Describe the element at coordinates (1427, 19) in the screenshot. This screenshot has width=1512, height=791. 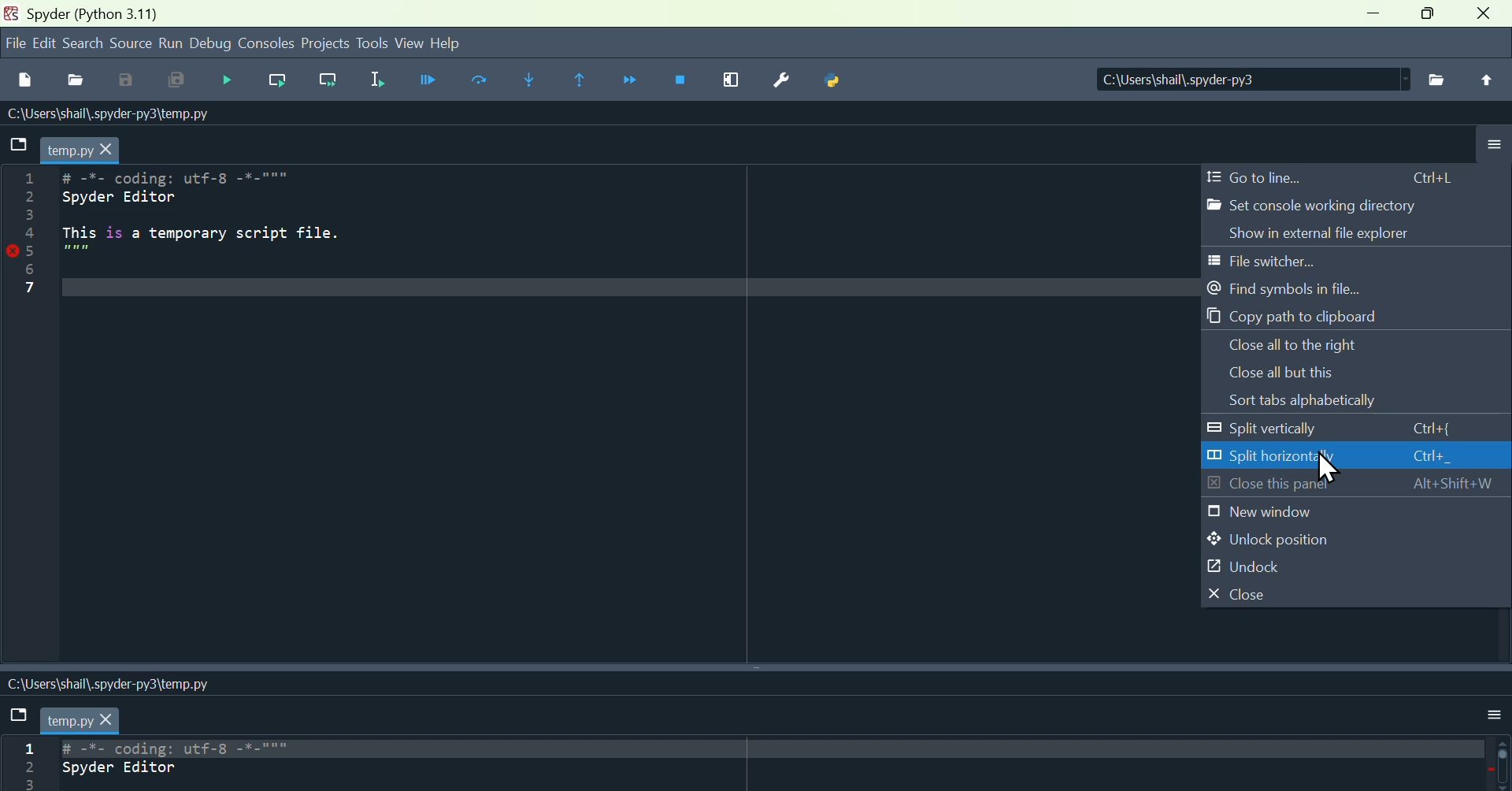
I see `Maximise` at that location.